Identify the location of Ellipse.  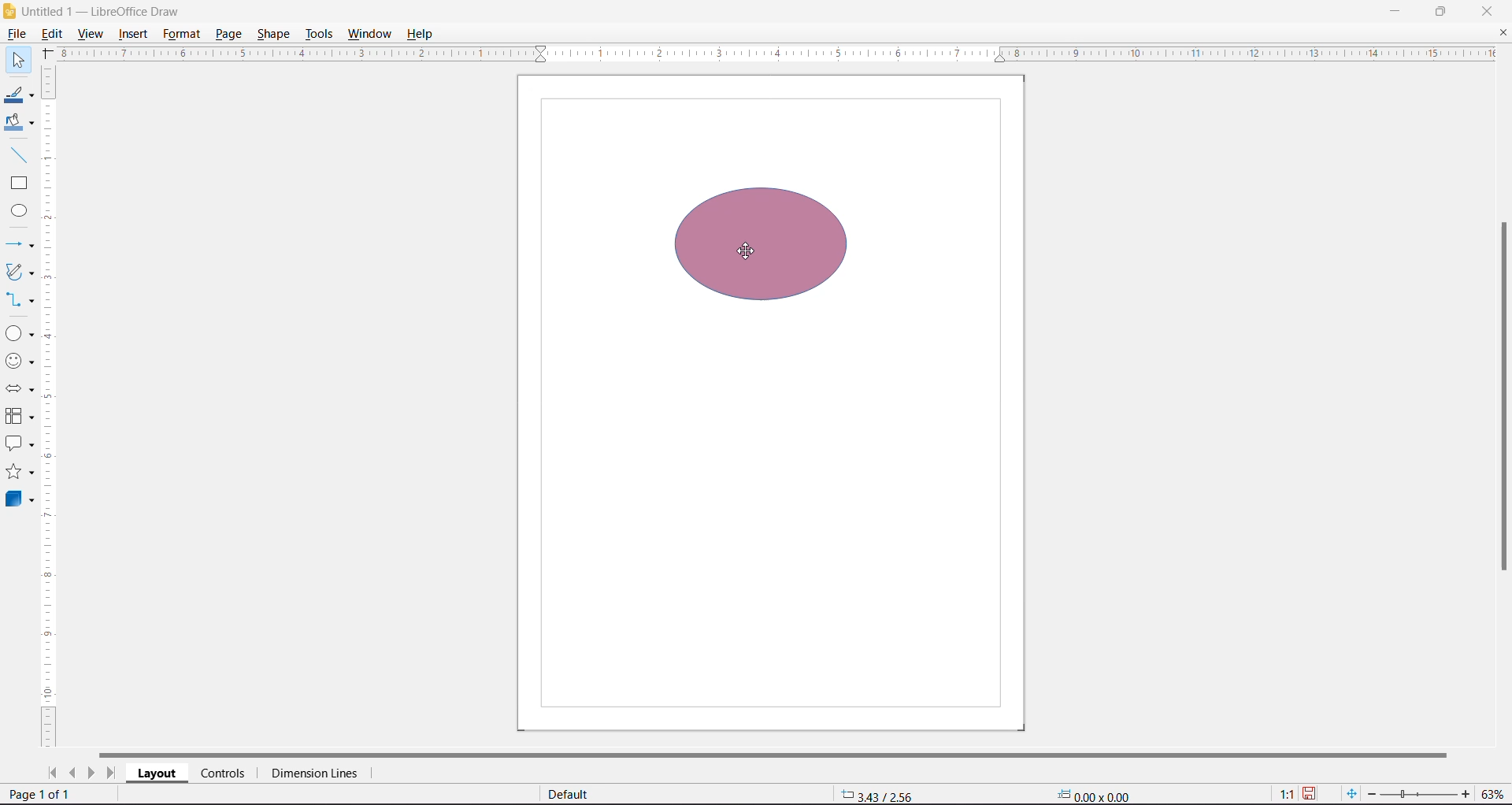
(18, 210).